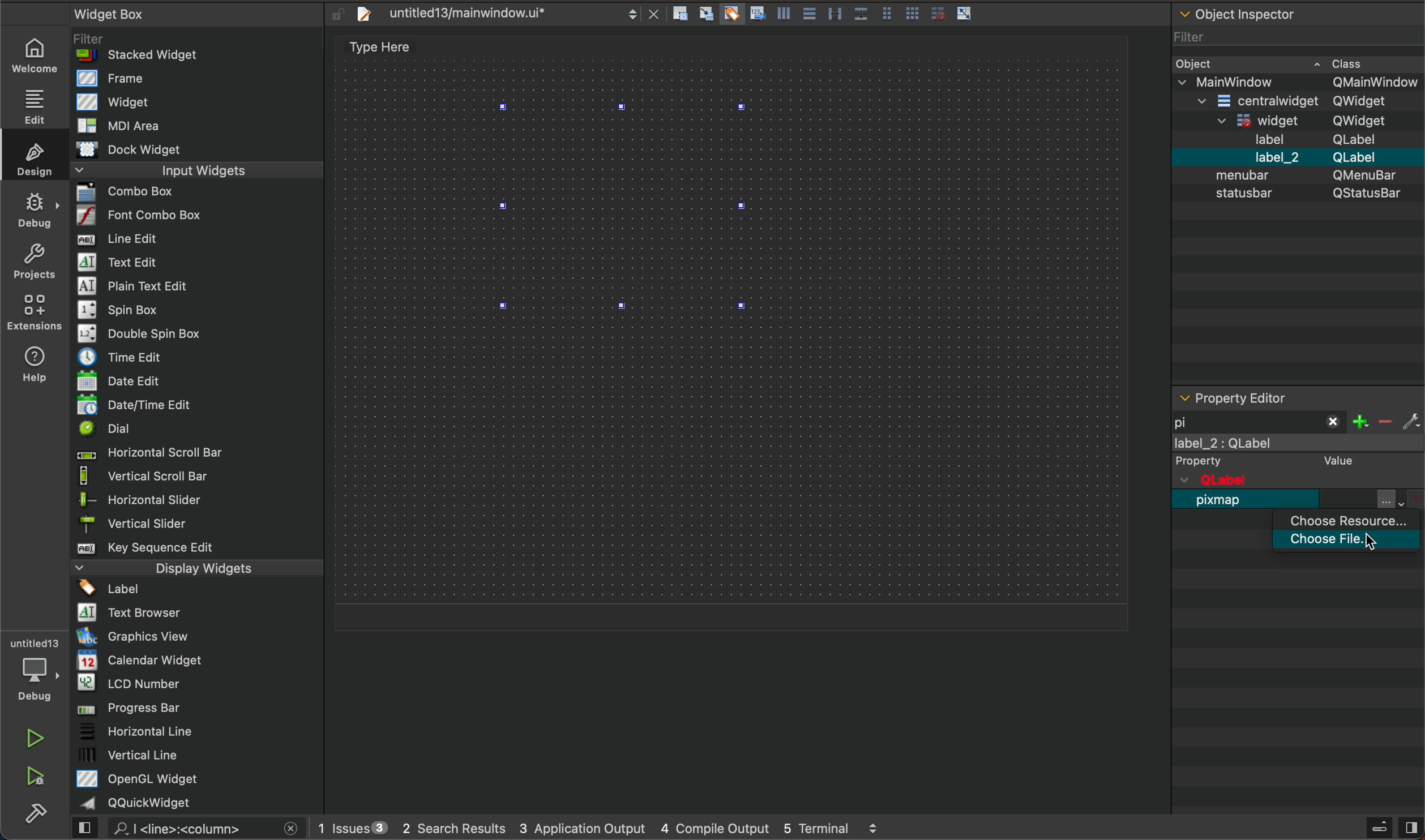 This screenshot has height=840, width=1425. What do you see at coordinates (1284, 480) in the screenshot?
I see `qobject` at bounding box center [1284, 480].